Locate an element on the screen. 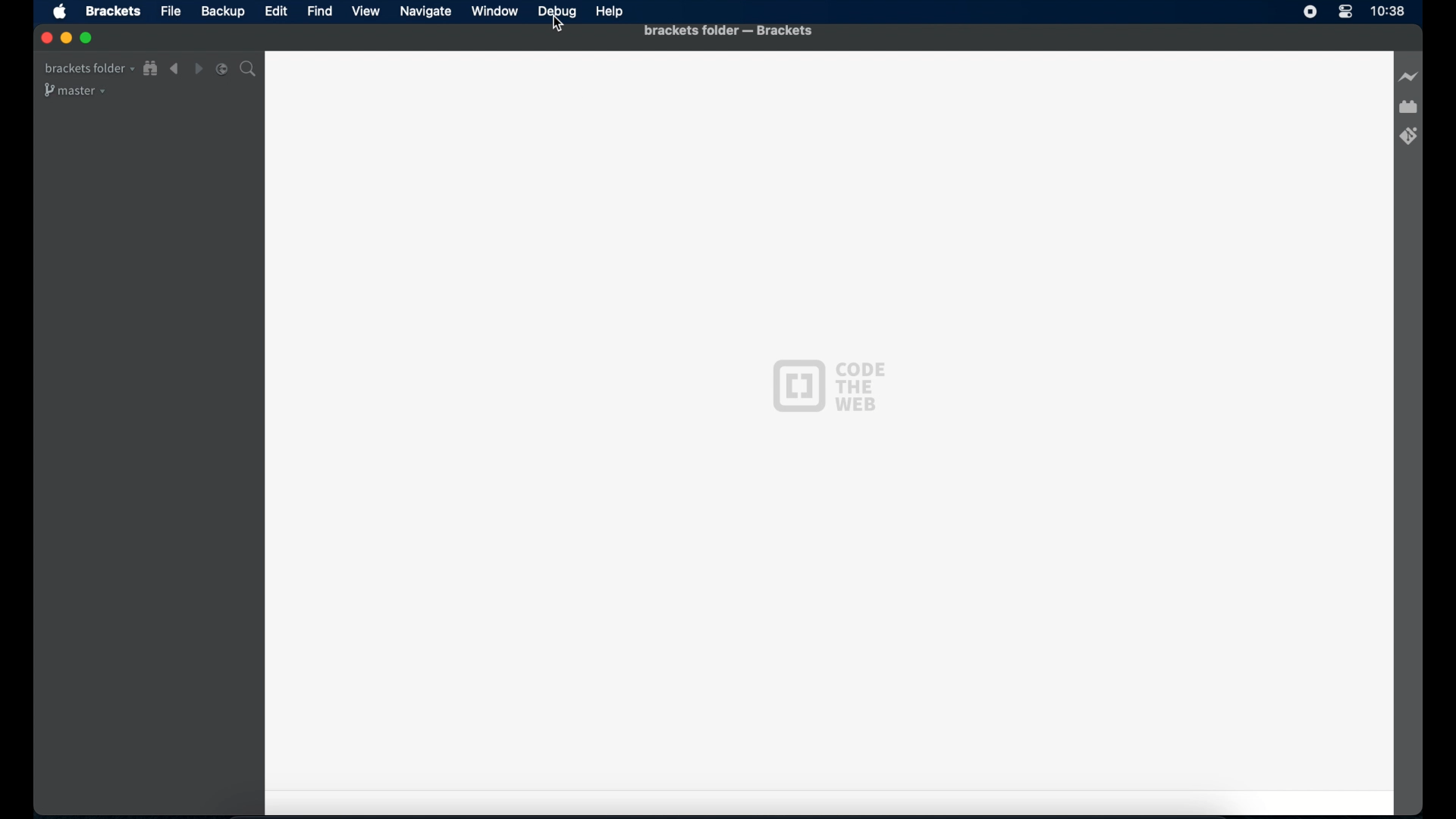 This screenshot has width=1456, height=819. debug is located at coordinates (557, 11).